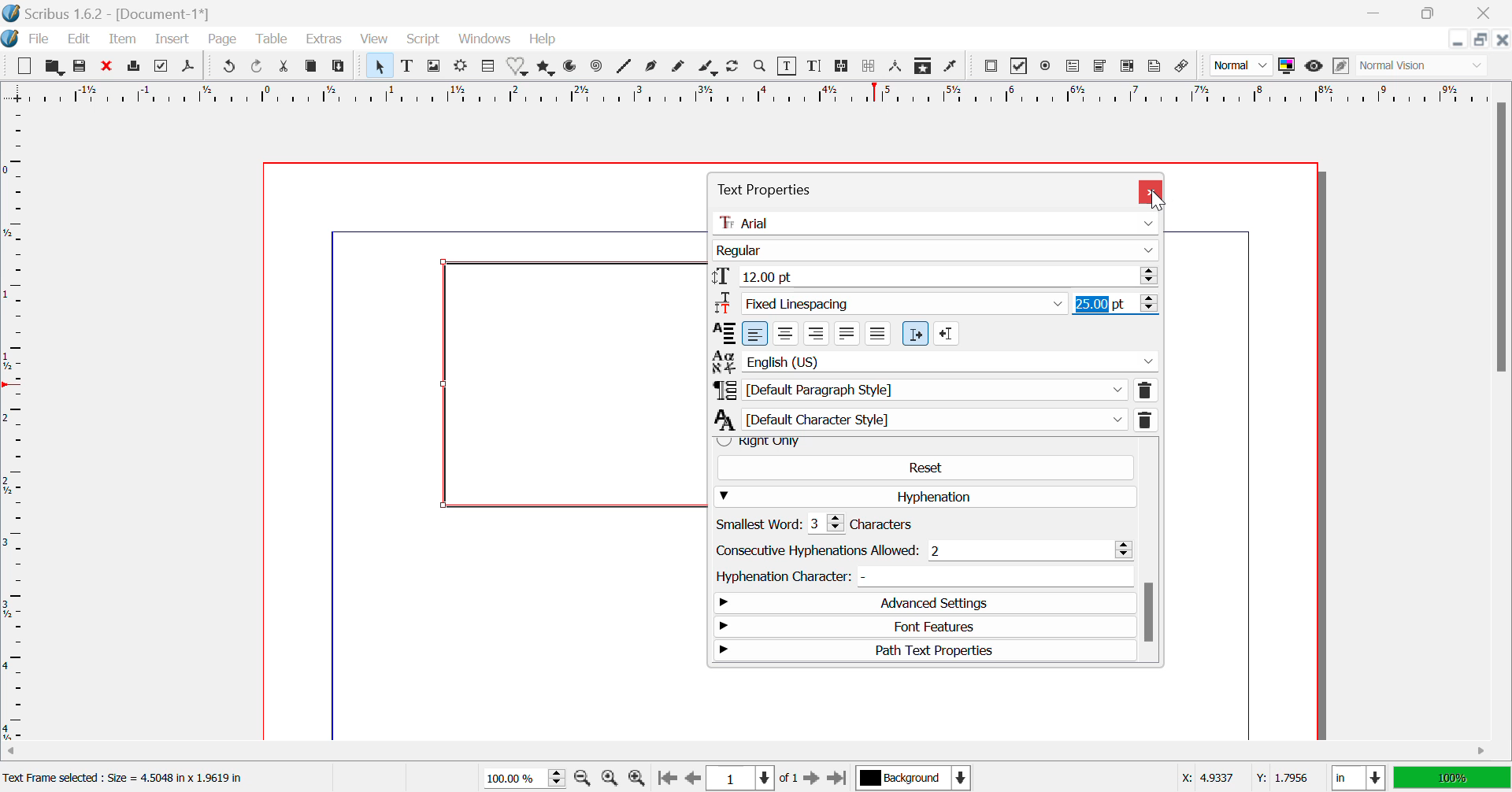  I want to click on Right to left paragraph, so click(947, 333).